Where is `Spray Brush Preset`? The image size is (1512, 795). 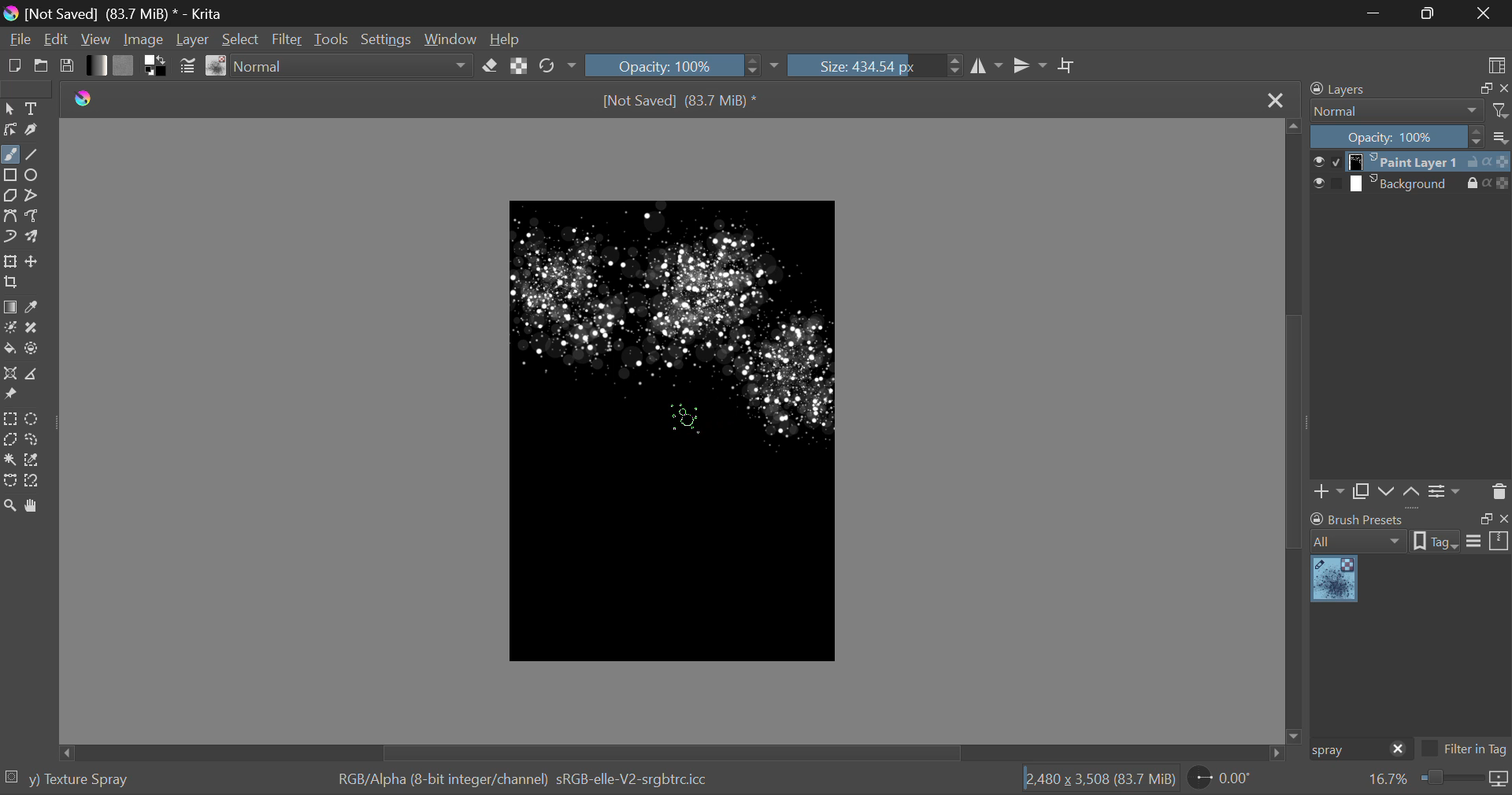
Spray Brush Preset is located at coordinates (1334, 580).